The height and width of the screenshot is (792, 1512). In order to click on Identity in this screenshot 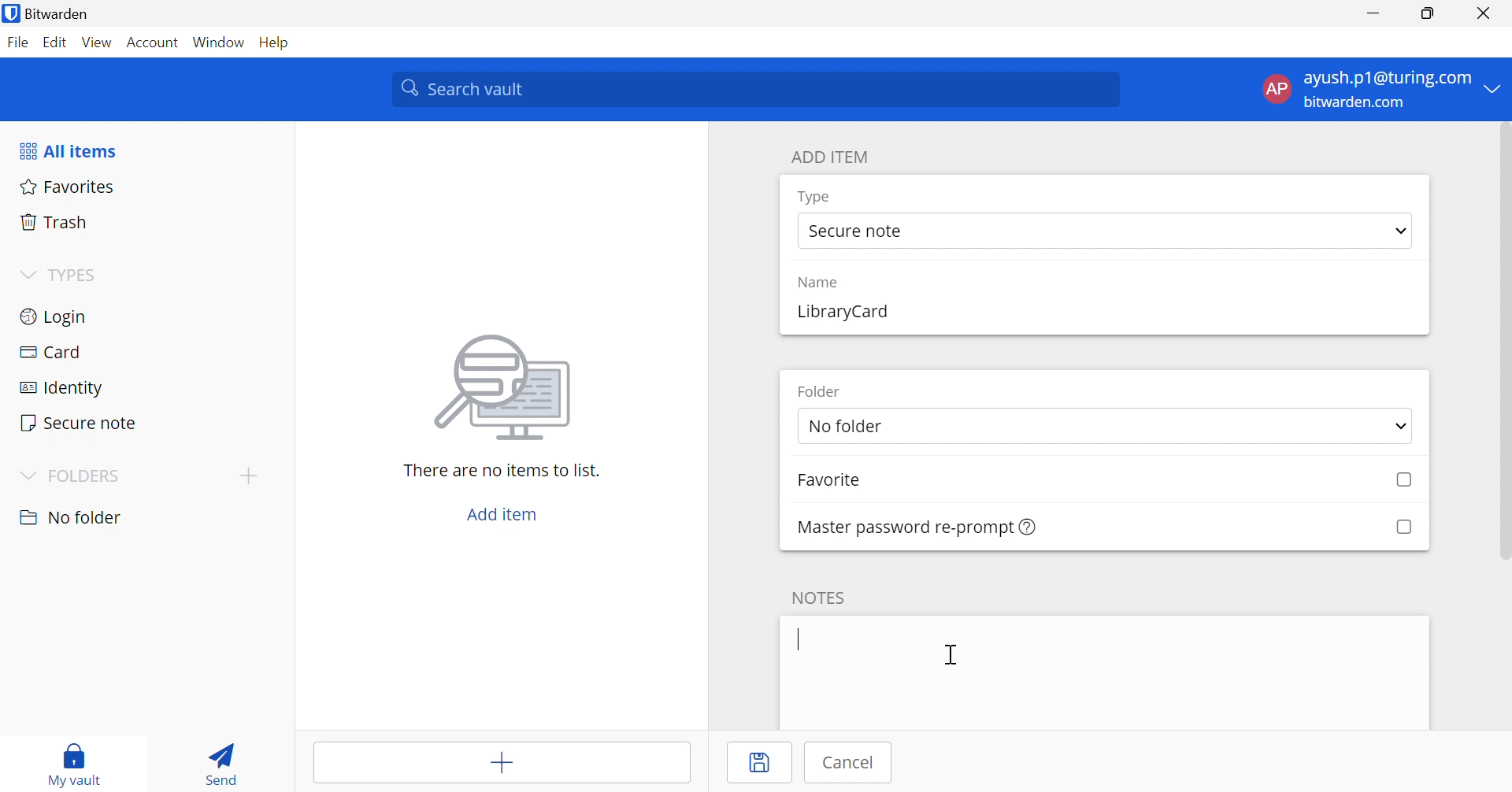, I will do `click(140, 383)`.